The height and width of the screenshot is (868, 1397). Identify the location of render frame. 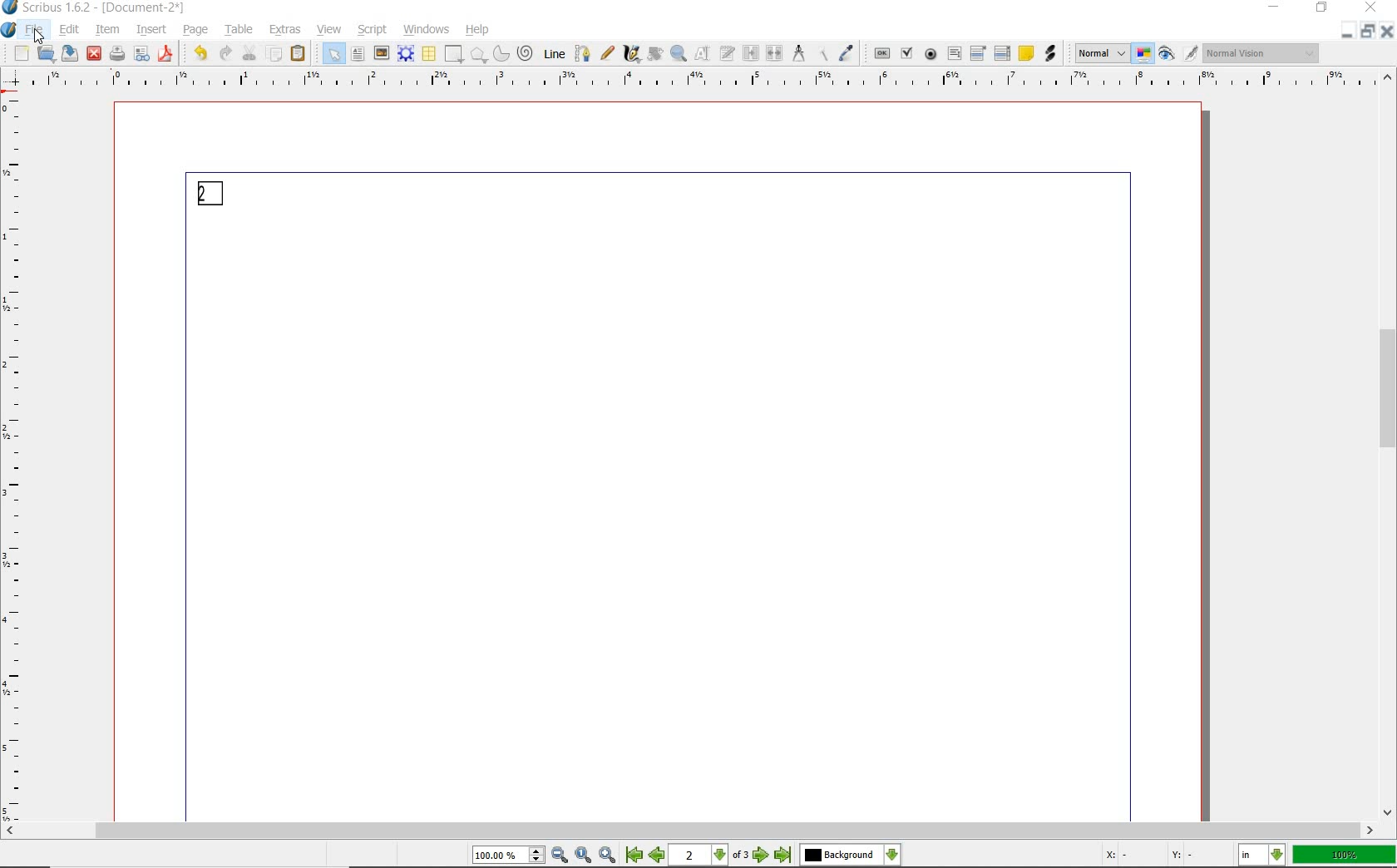
(406, 52).